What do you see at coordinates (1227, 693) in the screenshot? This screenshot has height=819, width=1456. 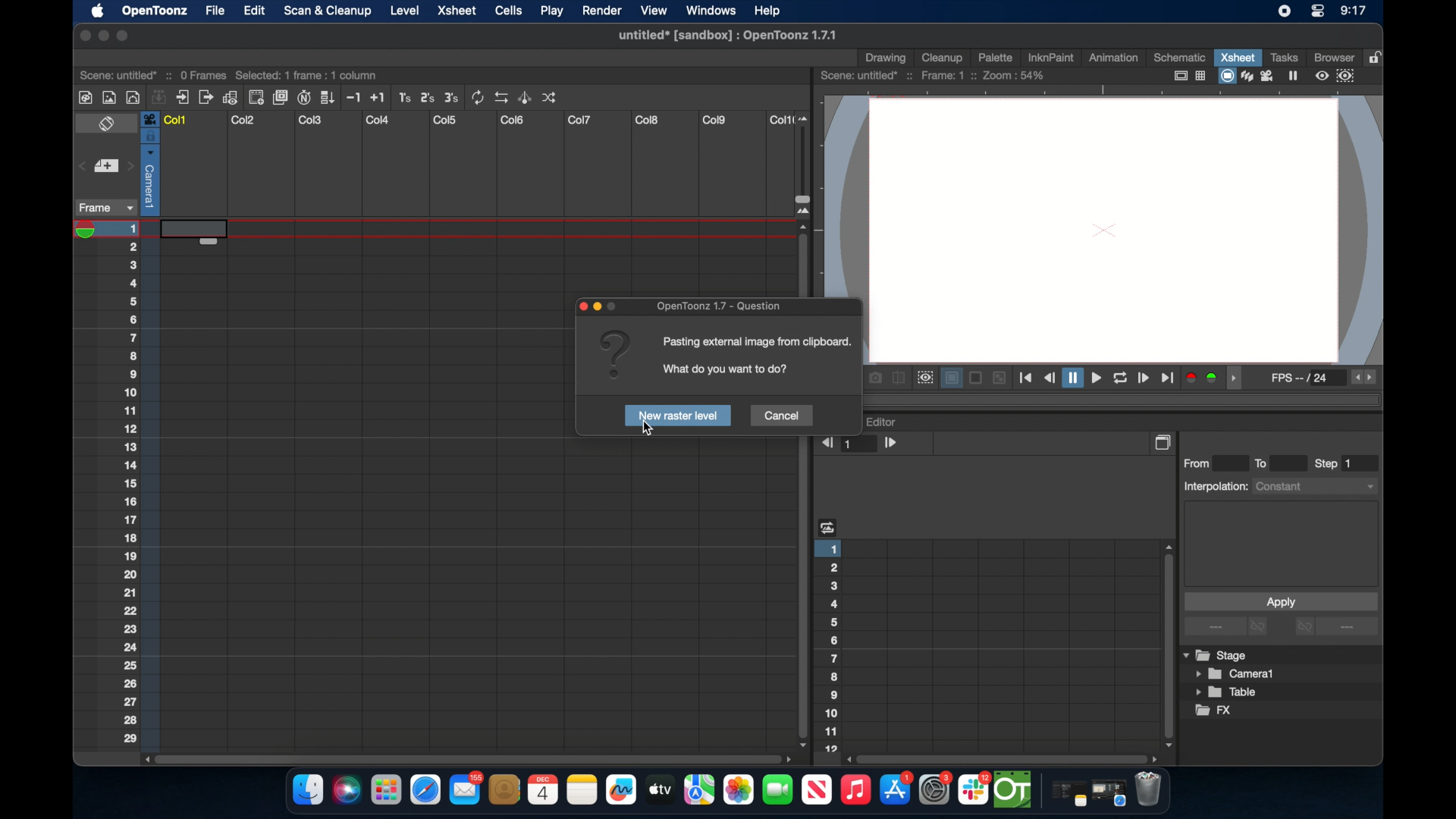 I see `table` at bounding box center [1227, 693].